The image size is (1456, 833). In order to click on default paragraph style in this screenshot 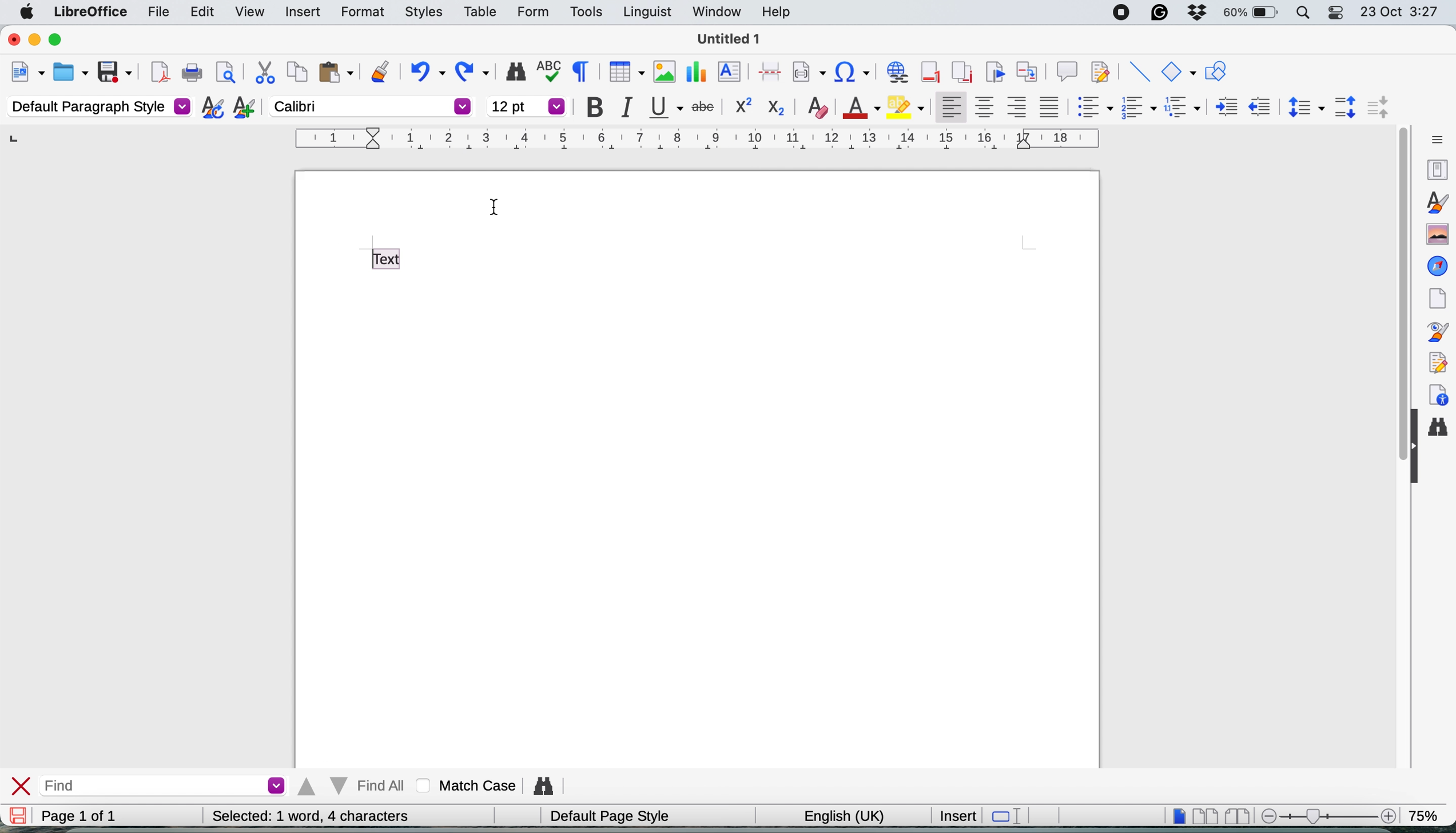, I will do `click(97, 108)`.